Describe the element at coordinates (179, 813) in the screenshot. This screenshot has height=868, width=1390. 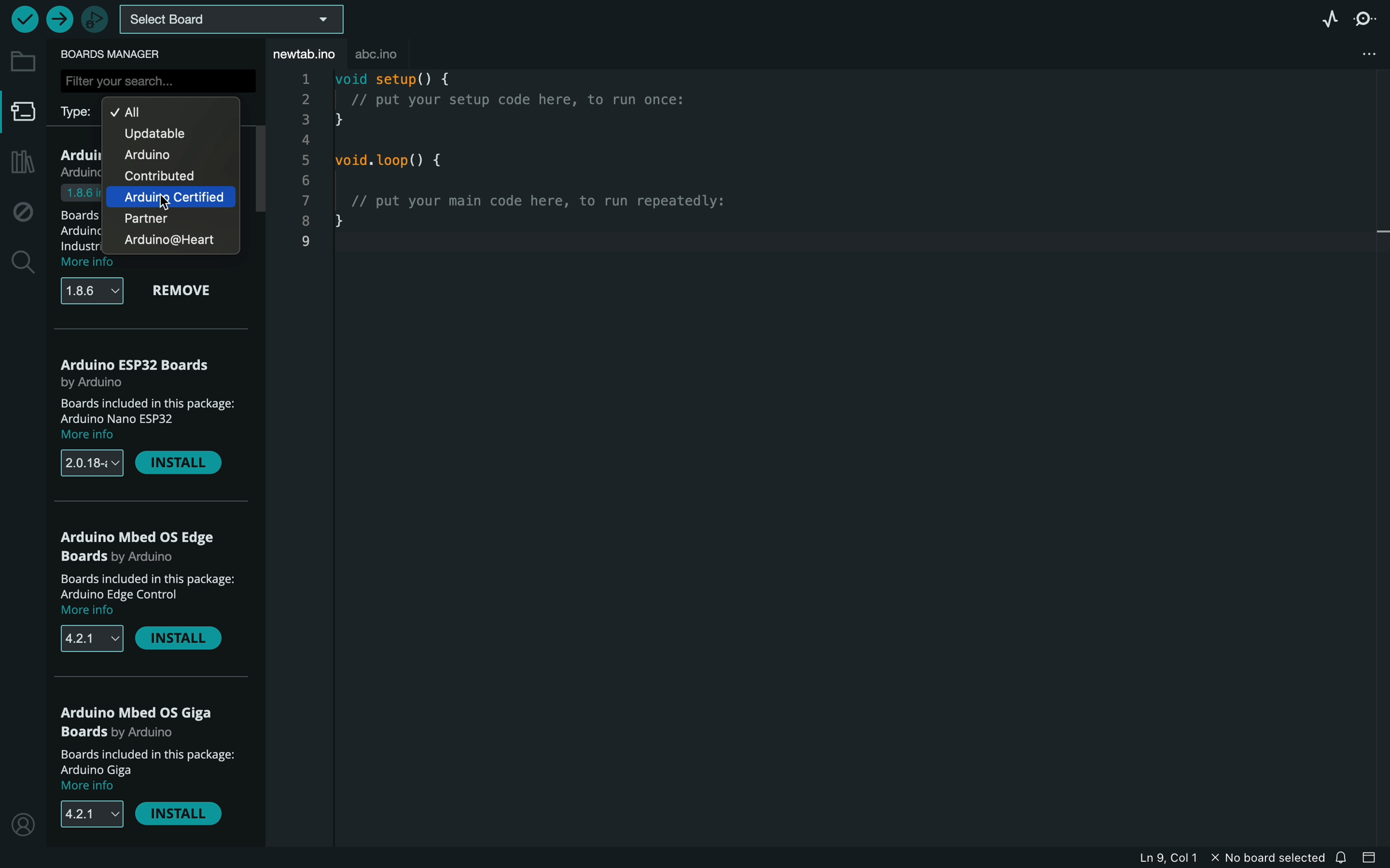
I see `install` at that location.